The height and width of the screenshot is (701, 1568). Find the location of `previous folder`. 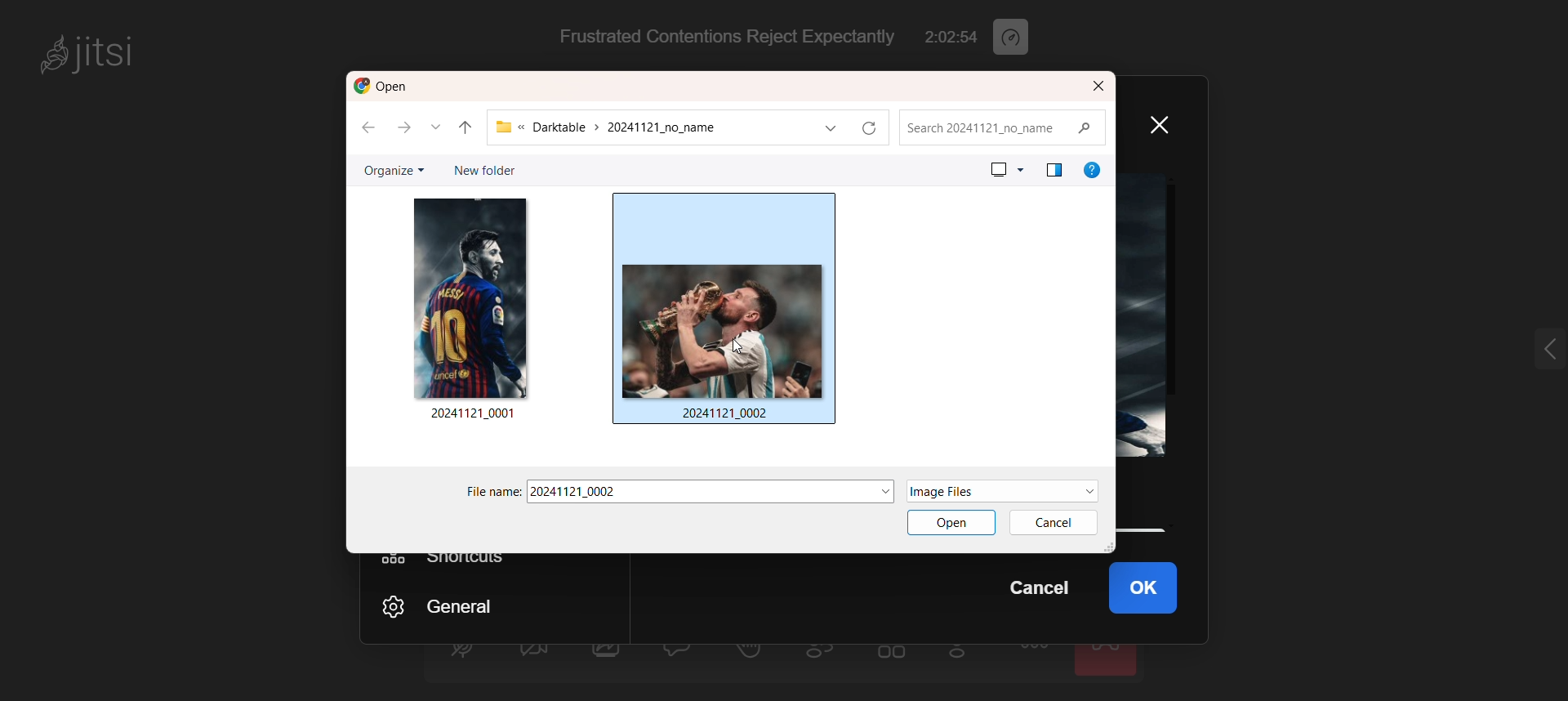

previous folder is located at coordinates (466, 124).